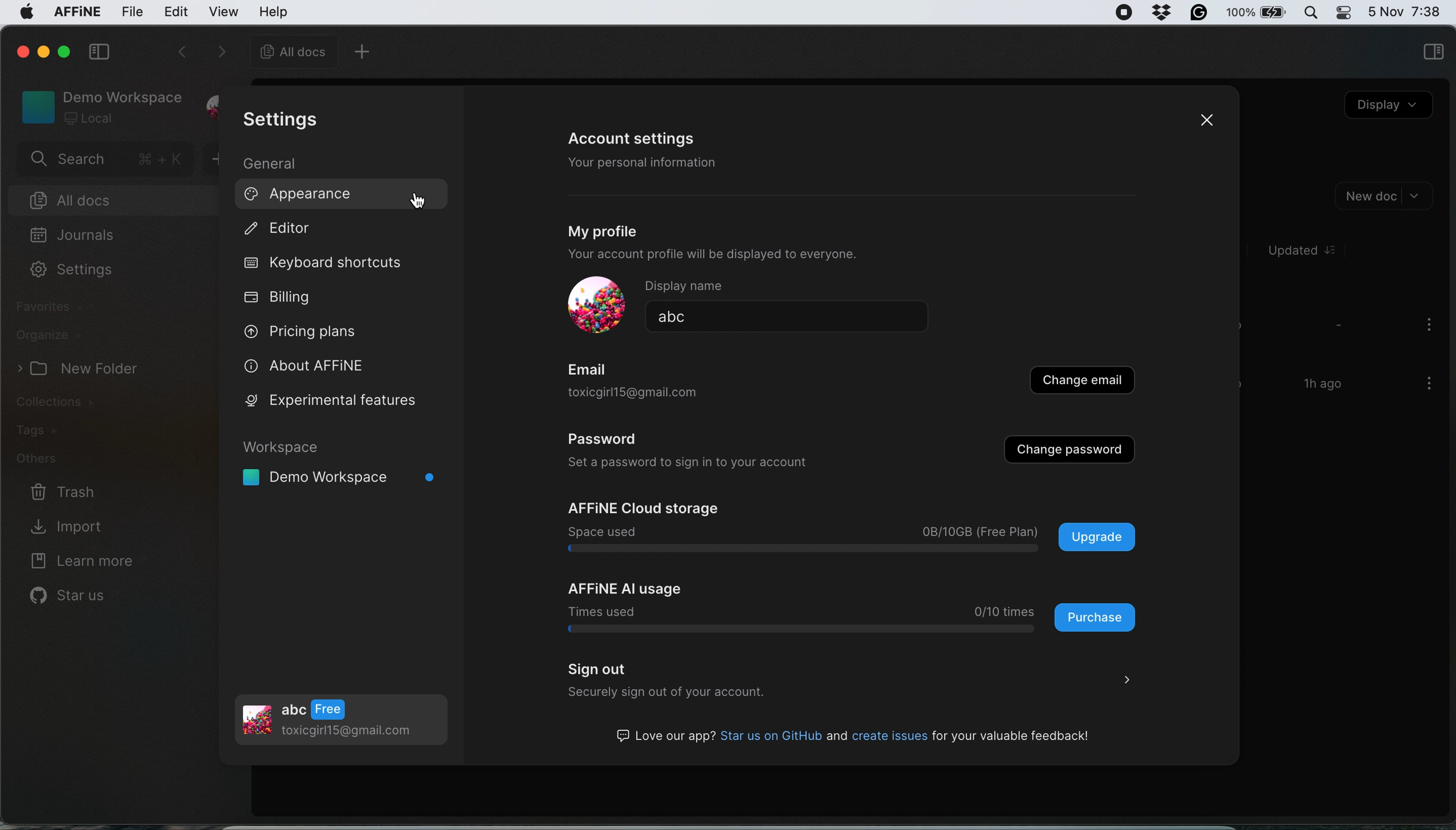 This screenshot has width=1456, height=830. Describe the element at coordinates (343, 721) in the screenshot. I see `profile` at that location.